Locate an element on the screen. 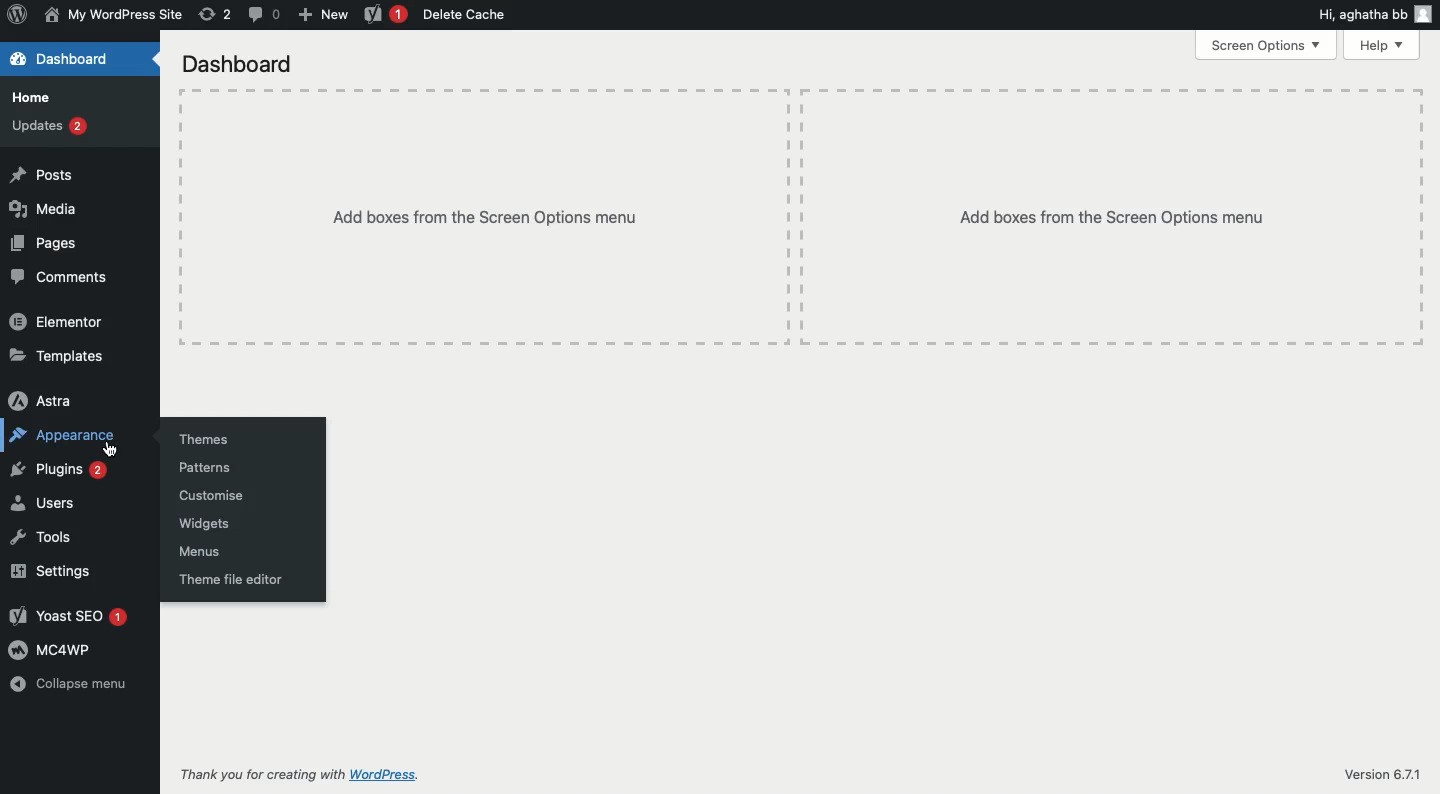 The width and height of the screenshot is (1440, 794). Users is located at coordinates (46, 504).